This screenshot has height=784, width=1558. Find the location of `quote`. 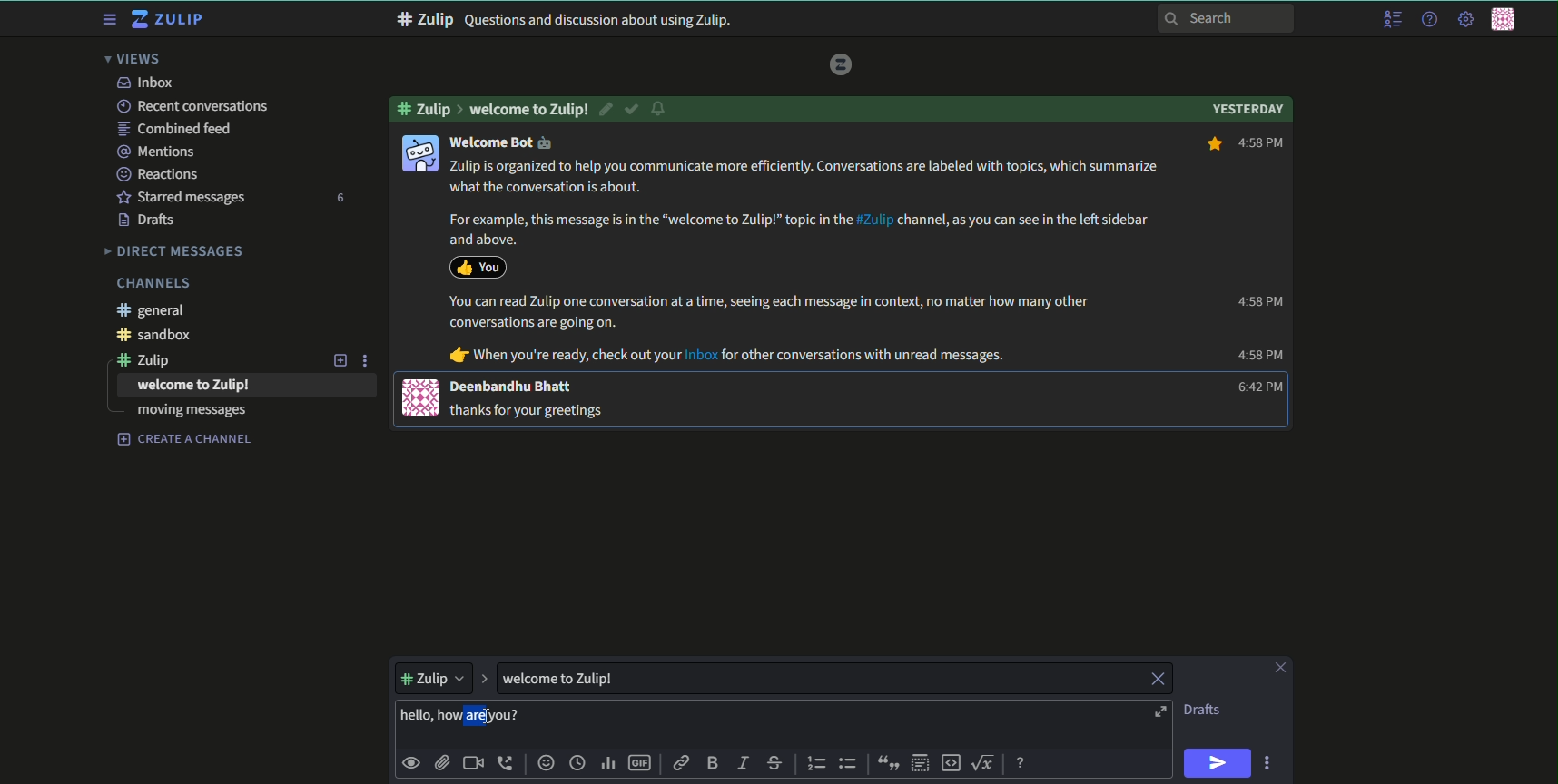

quote is located at coordinates (885, 763).